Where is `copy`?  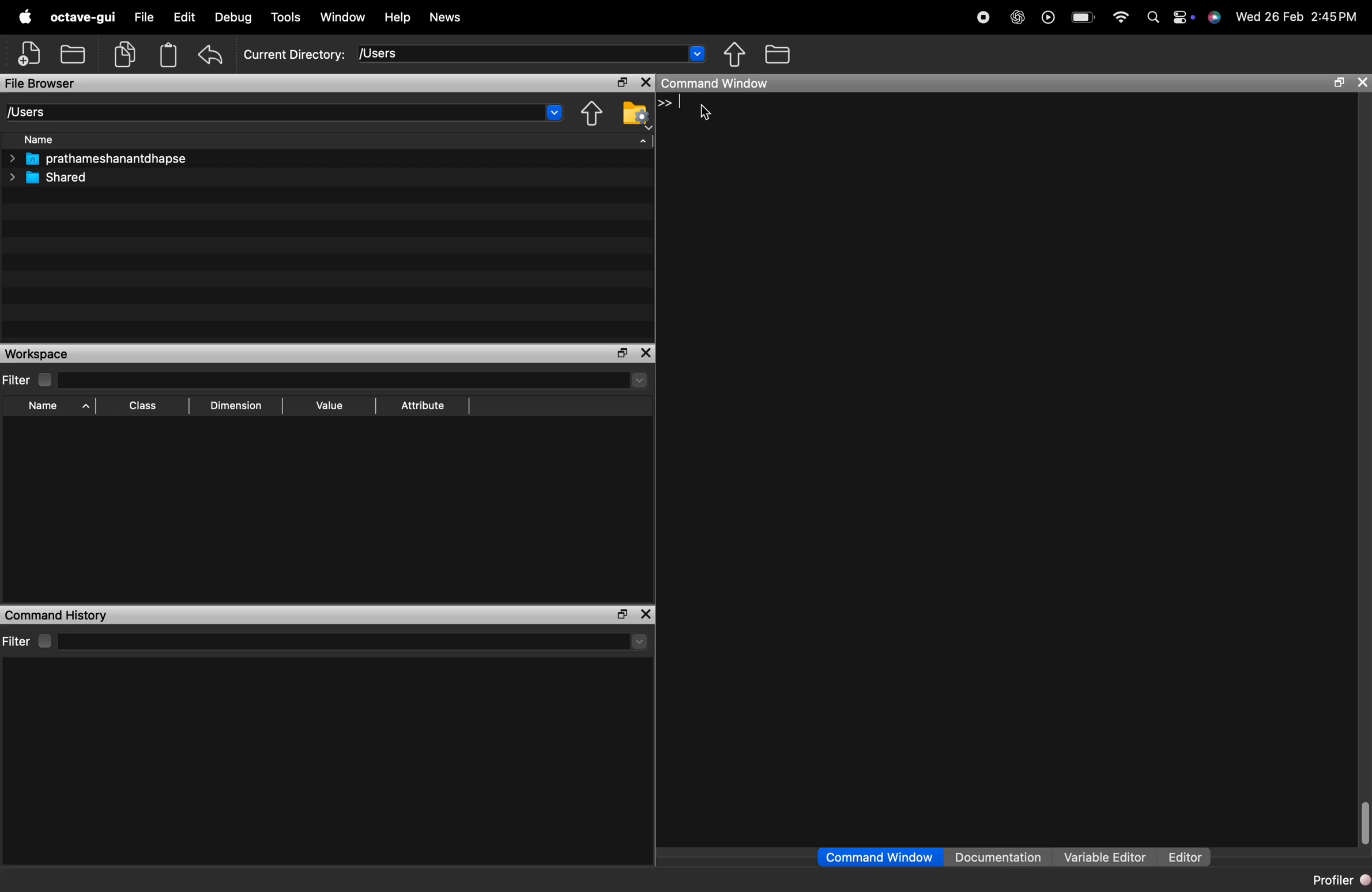 copy is located at coordinates (125, 54).